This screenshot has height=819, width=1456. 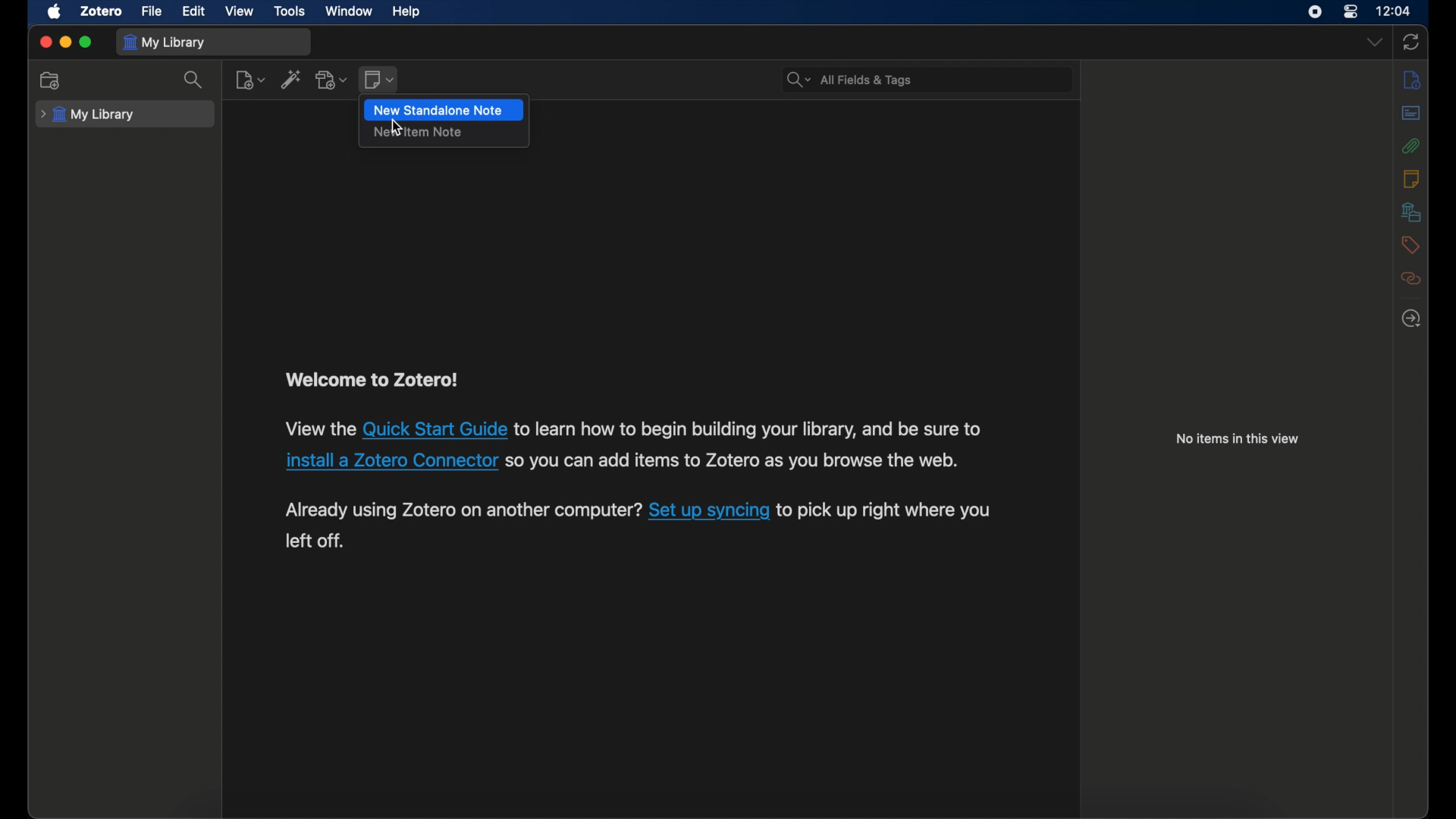 What do you see at coordinates (194, 11) in the screenshot?
I see `edit` at bounding box center [194, 11].